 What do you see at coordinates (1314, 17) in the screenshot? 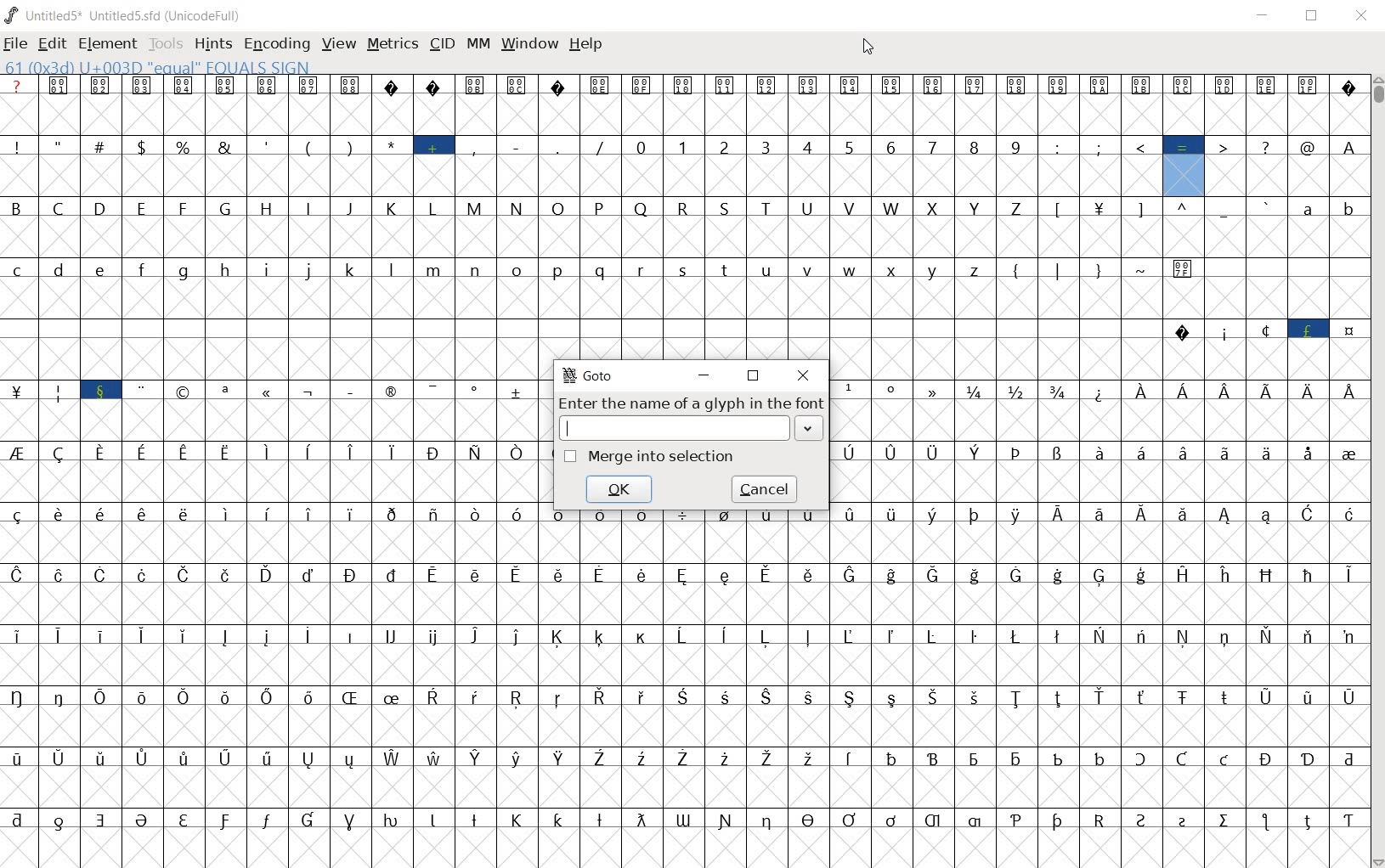
I see `restore down` at bounding box center [1314, 17].